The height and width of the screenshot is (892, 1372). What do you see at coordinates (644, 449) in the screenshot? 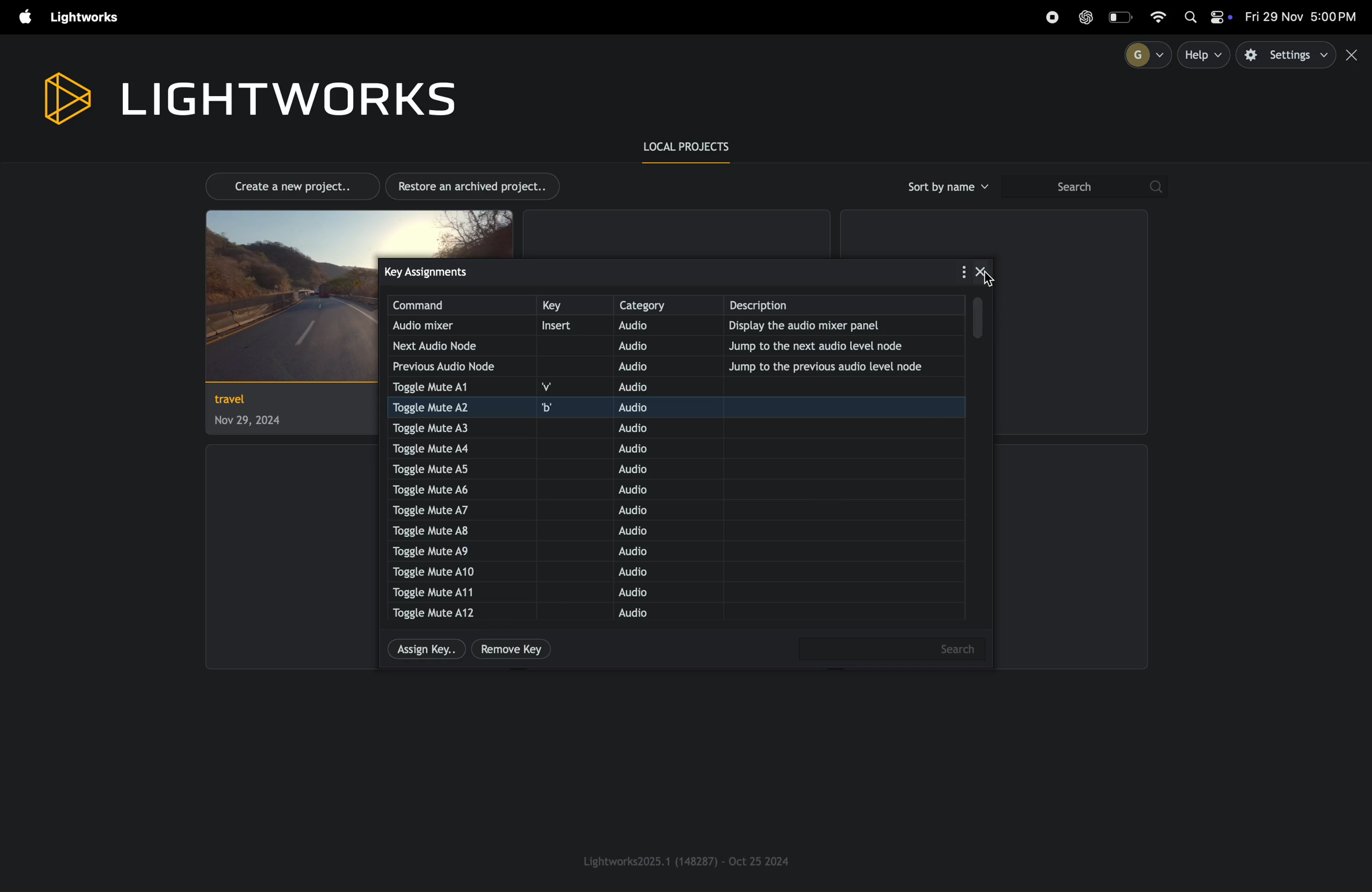
I see `audio` at bounding box center [644, 449].